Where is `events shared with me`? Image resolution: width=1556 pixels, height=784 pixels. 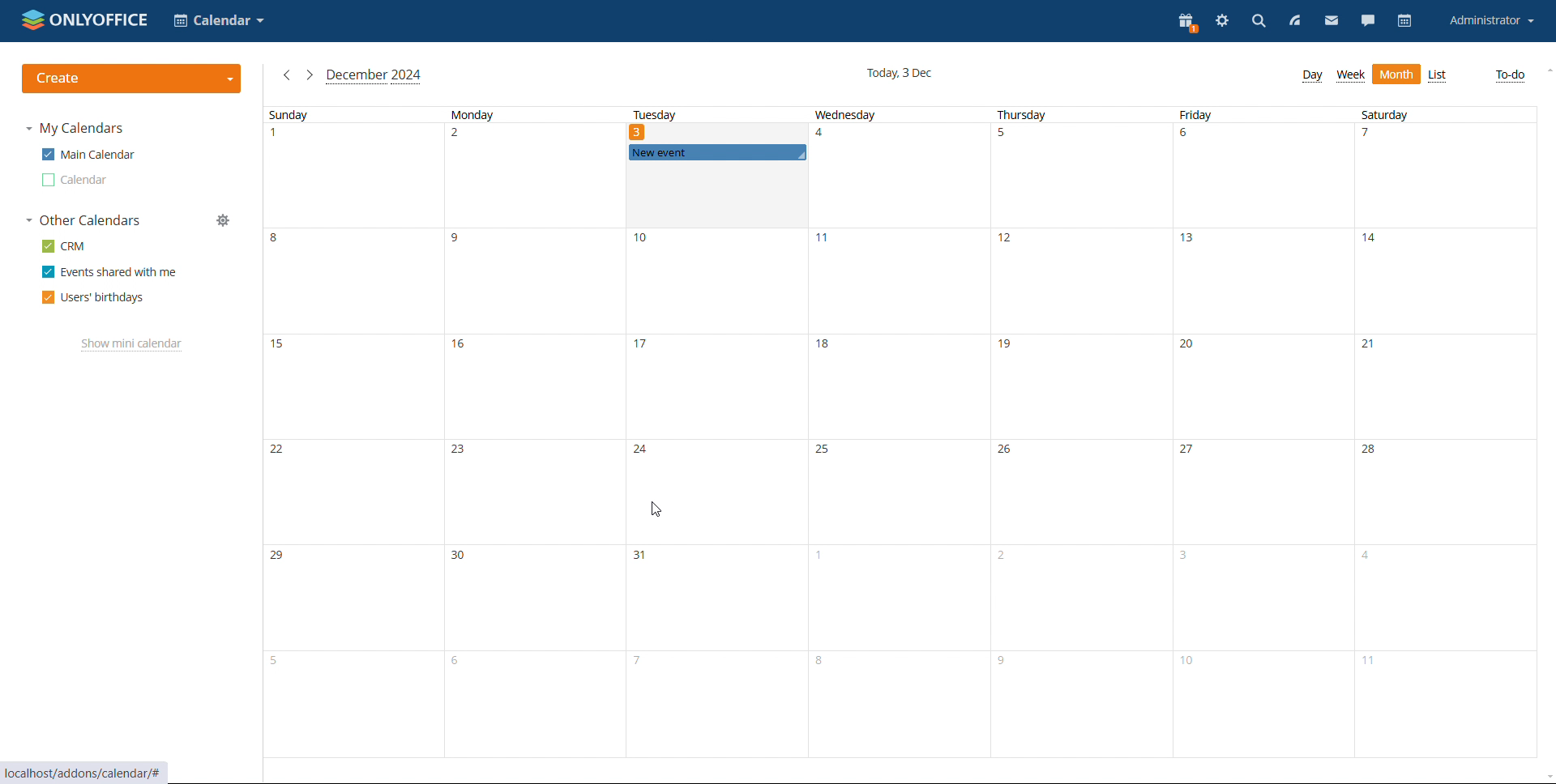 events shared with me is located at coordinates (110, 272).